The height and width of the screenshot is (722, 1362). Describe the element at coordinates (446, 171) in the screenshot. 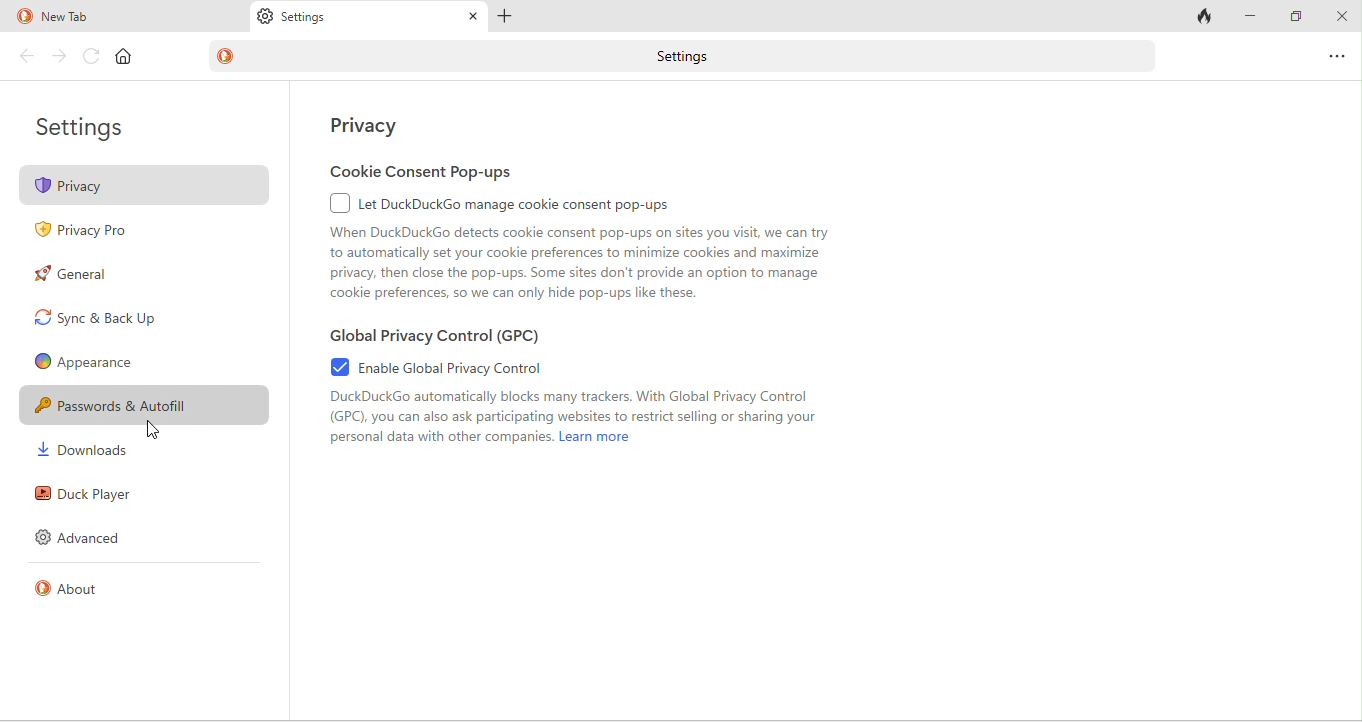

I see `cookie consent pop ups` at that location.